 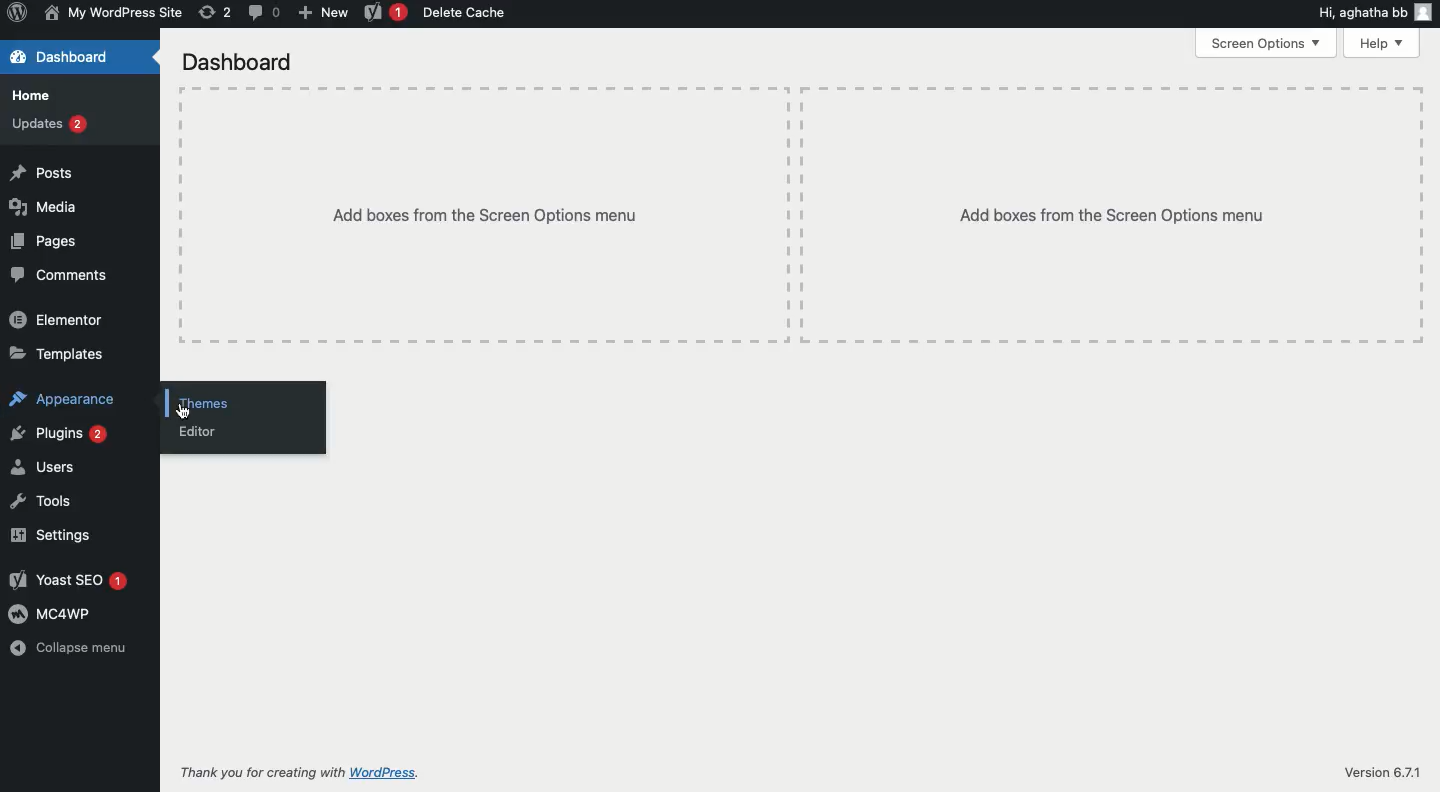 I want to click on Hi, agatha bb, so click(x=1358, y=13).